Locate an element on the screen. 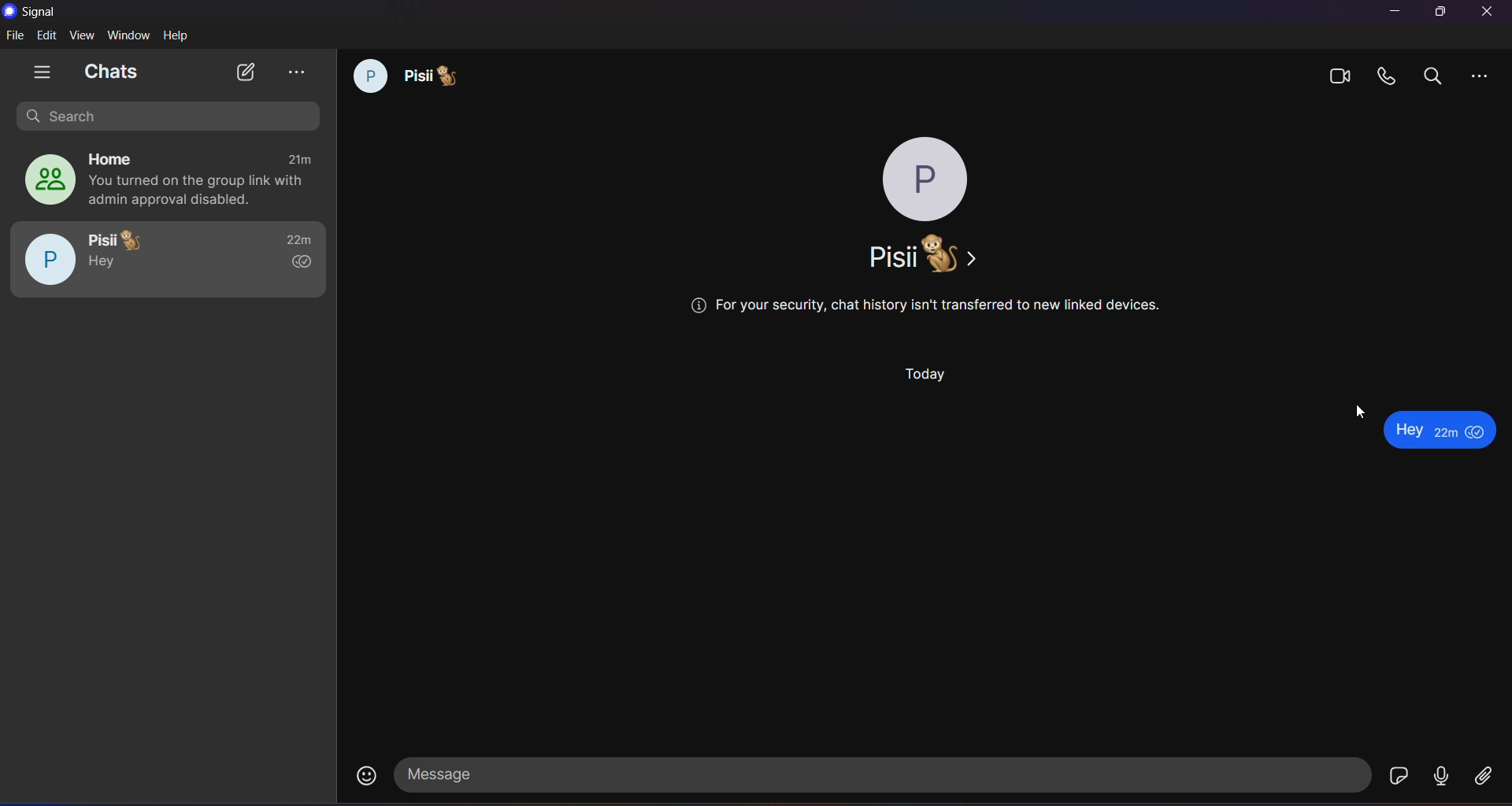 The width and height of the screenshot is (1512, 806). window is located at coordinates (132, 35).